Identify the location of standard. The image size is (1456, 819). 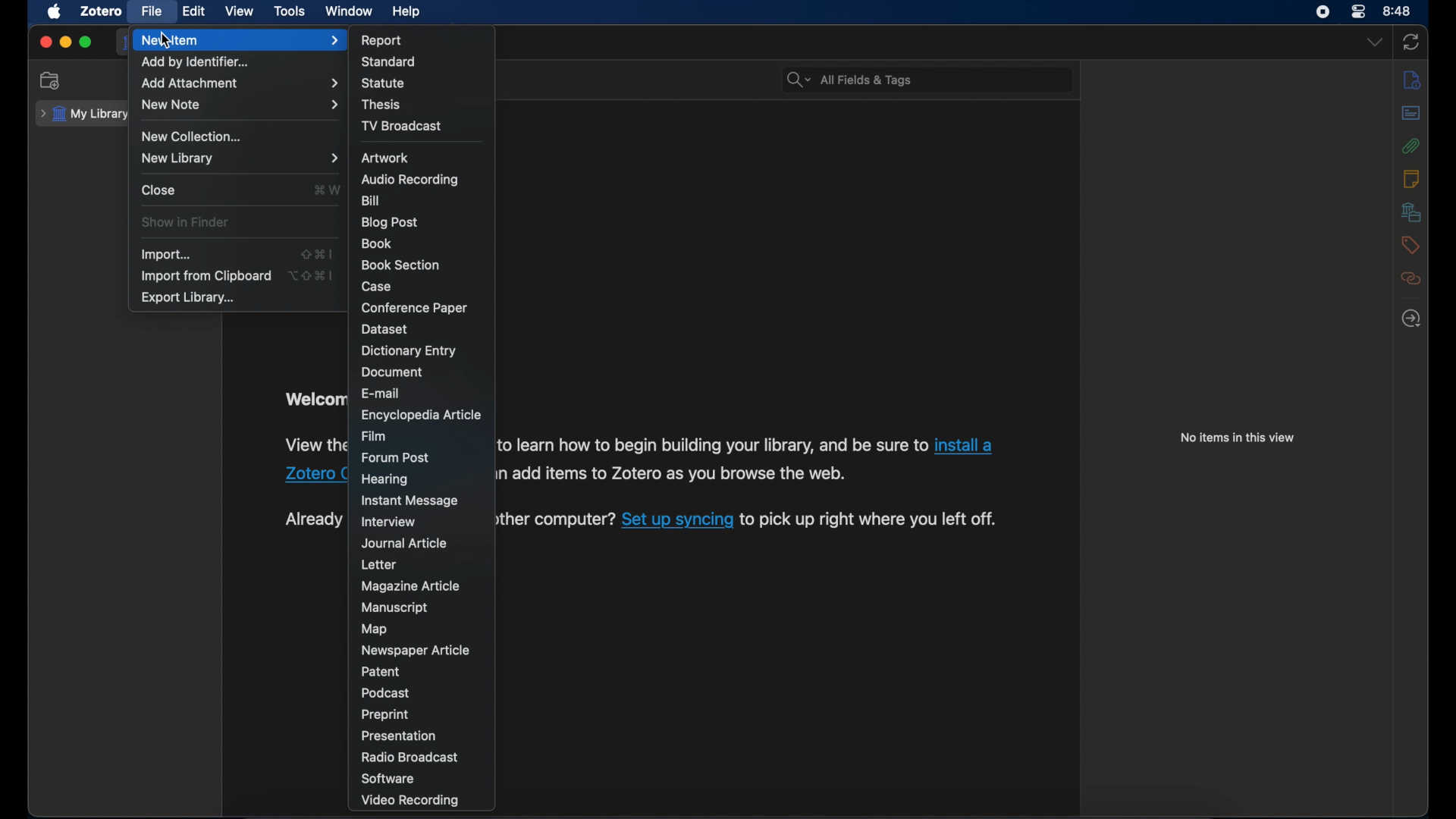
(390, 61).